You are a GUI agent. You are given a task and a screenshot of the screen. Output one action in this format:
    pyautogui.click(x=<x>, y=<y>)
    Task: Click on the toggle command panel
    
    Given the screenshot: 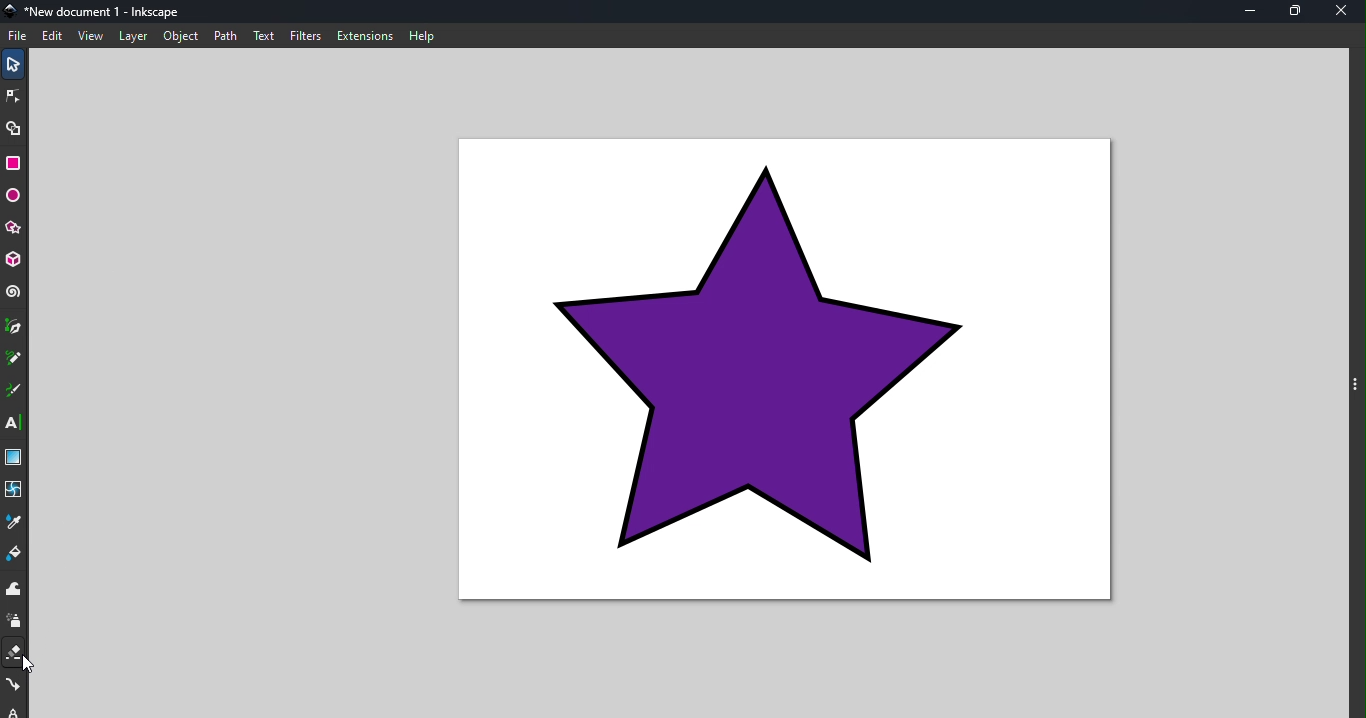 What is the action you would take?
    pyautogui.click(x=1353, y=380)
    